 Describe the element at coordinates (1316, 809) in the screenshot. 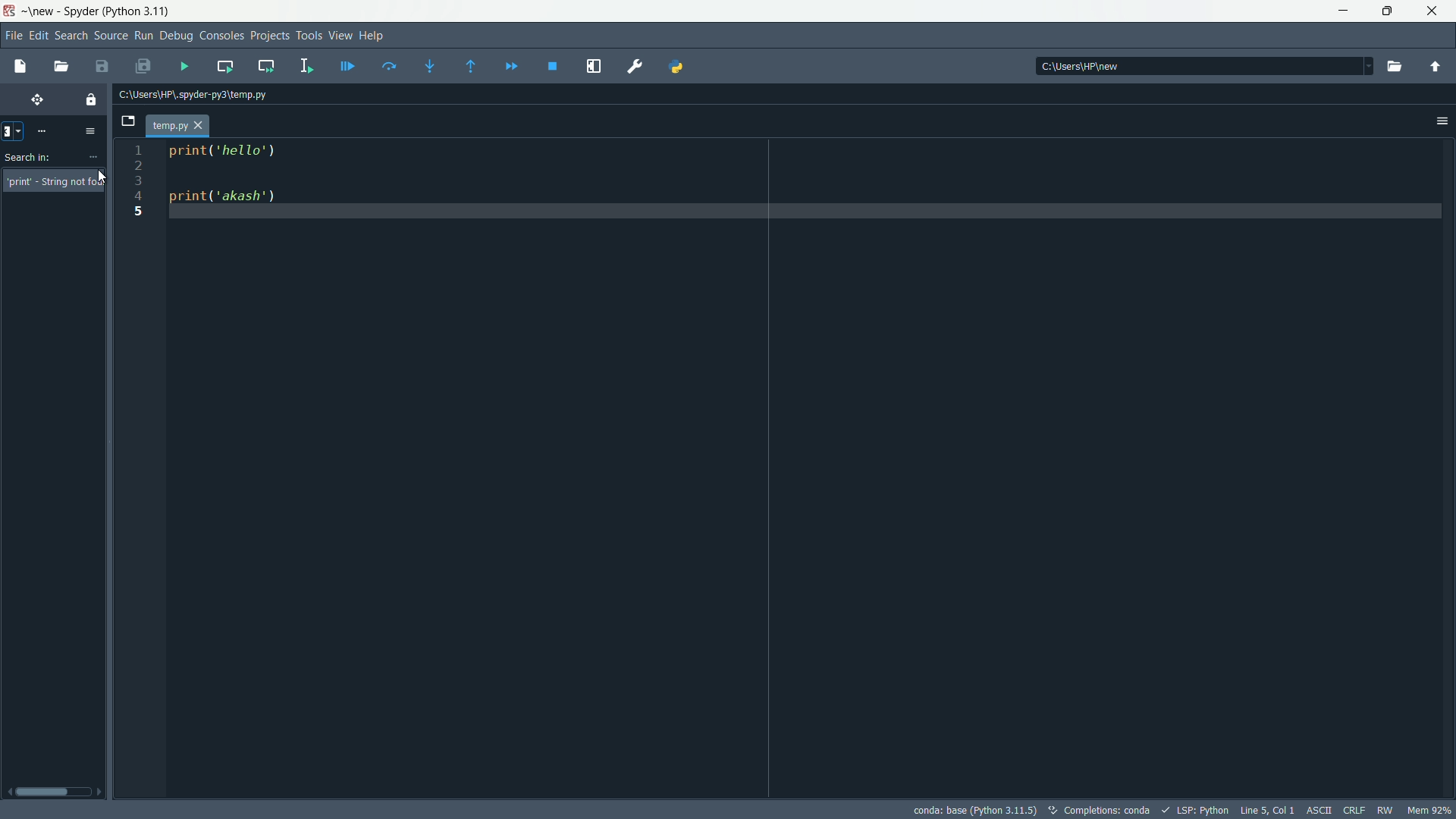

I see `ASCII` at that location.